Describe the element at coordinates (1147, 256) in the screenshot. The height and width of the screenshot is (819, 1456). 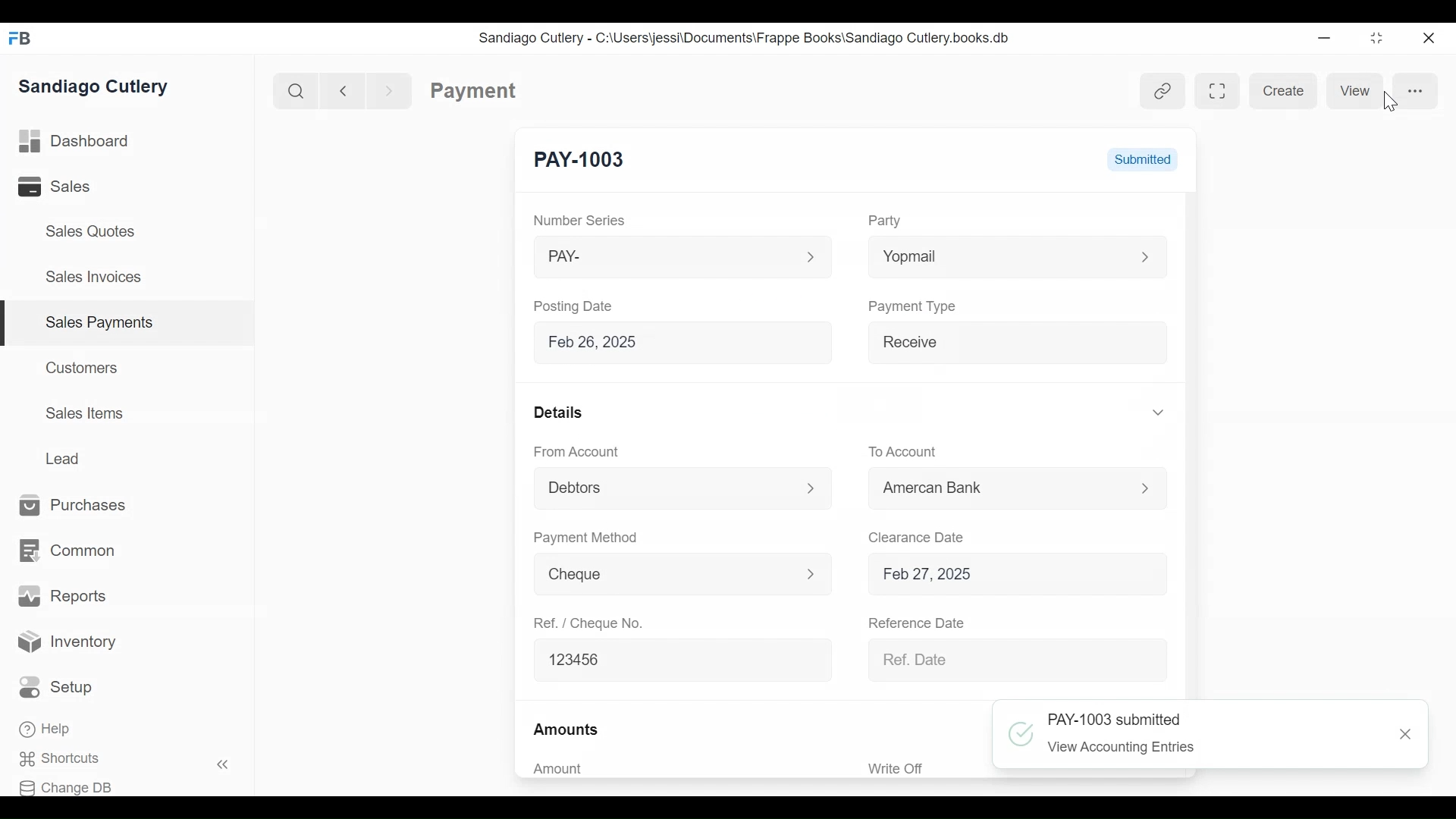
I see `Expand` at that location.